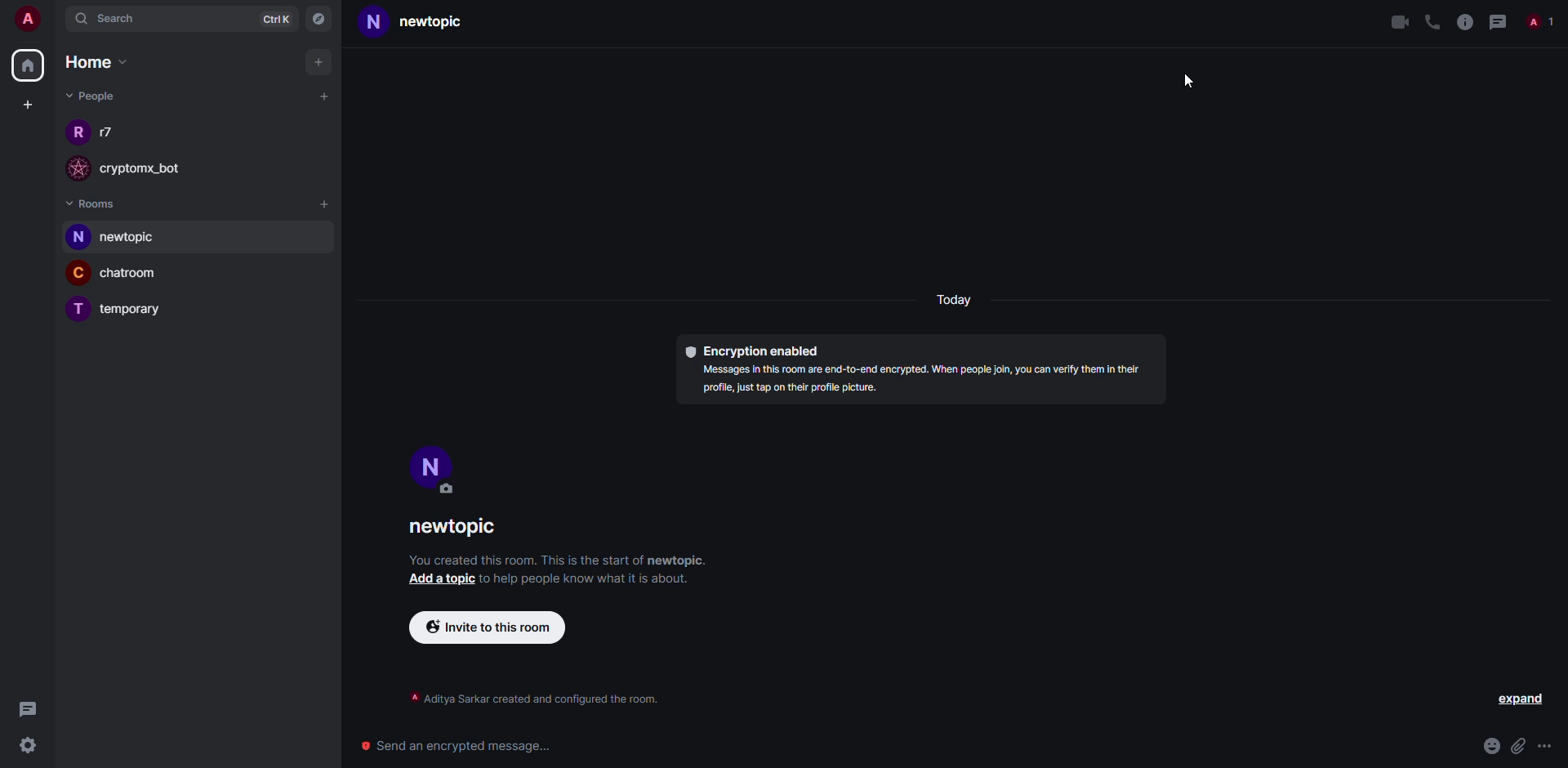  Describe the element at coordinates (136, 310) in the screenshot. I see `room` at that location.